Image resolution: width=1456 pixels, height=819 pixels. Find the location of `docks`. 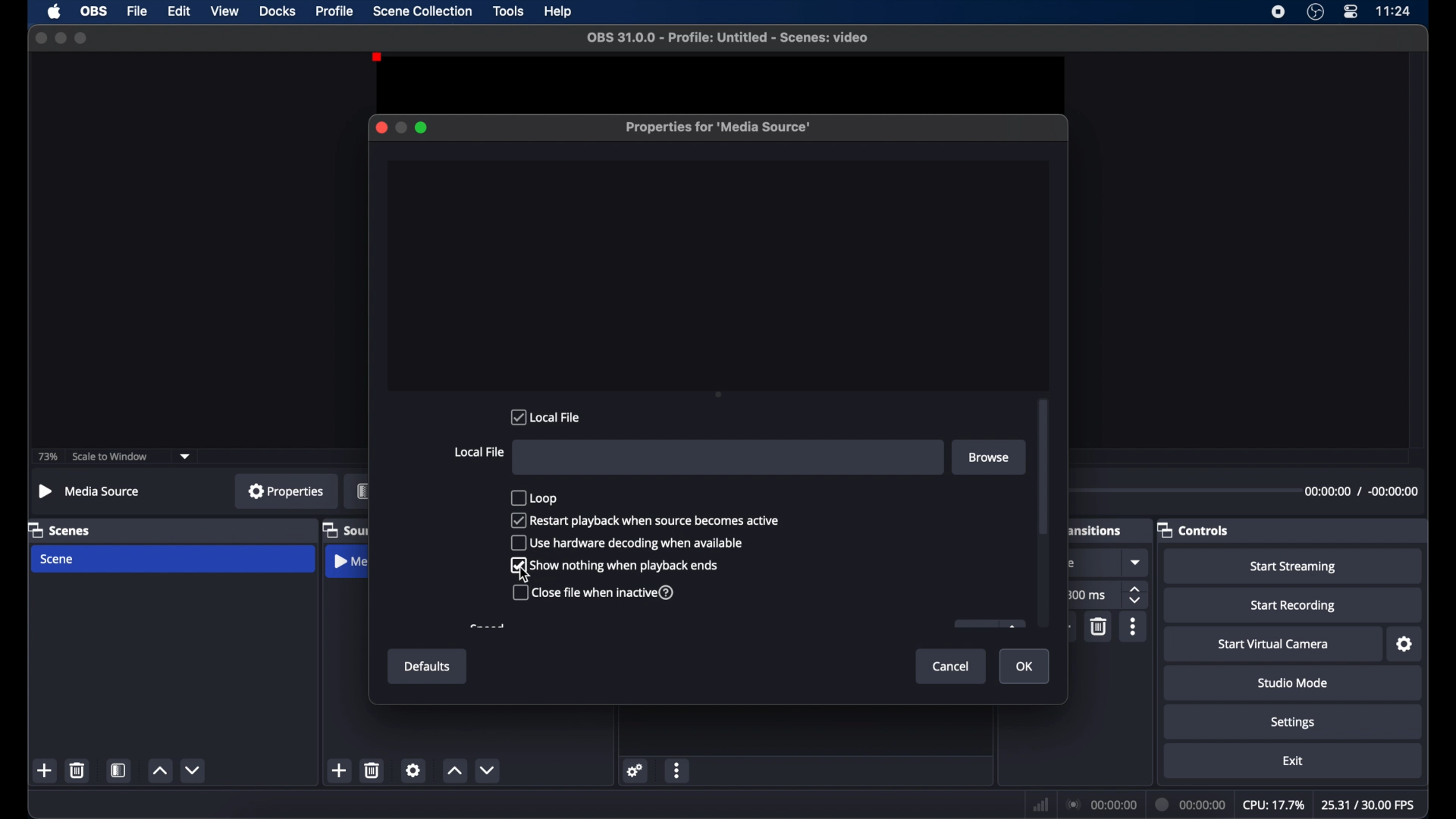

docks is located at coordinates (278, 11).